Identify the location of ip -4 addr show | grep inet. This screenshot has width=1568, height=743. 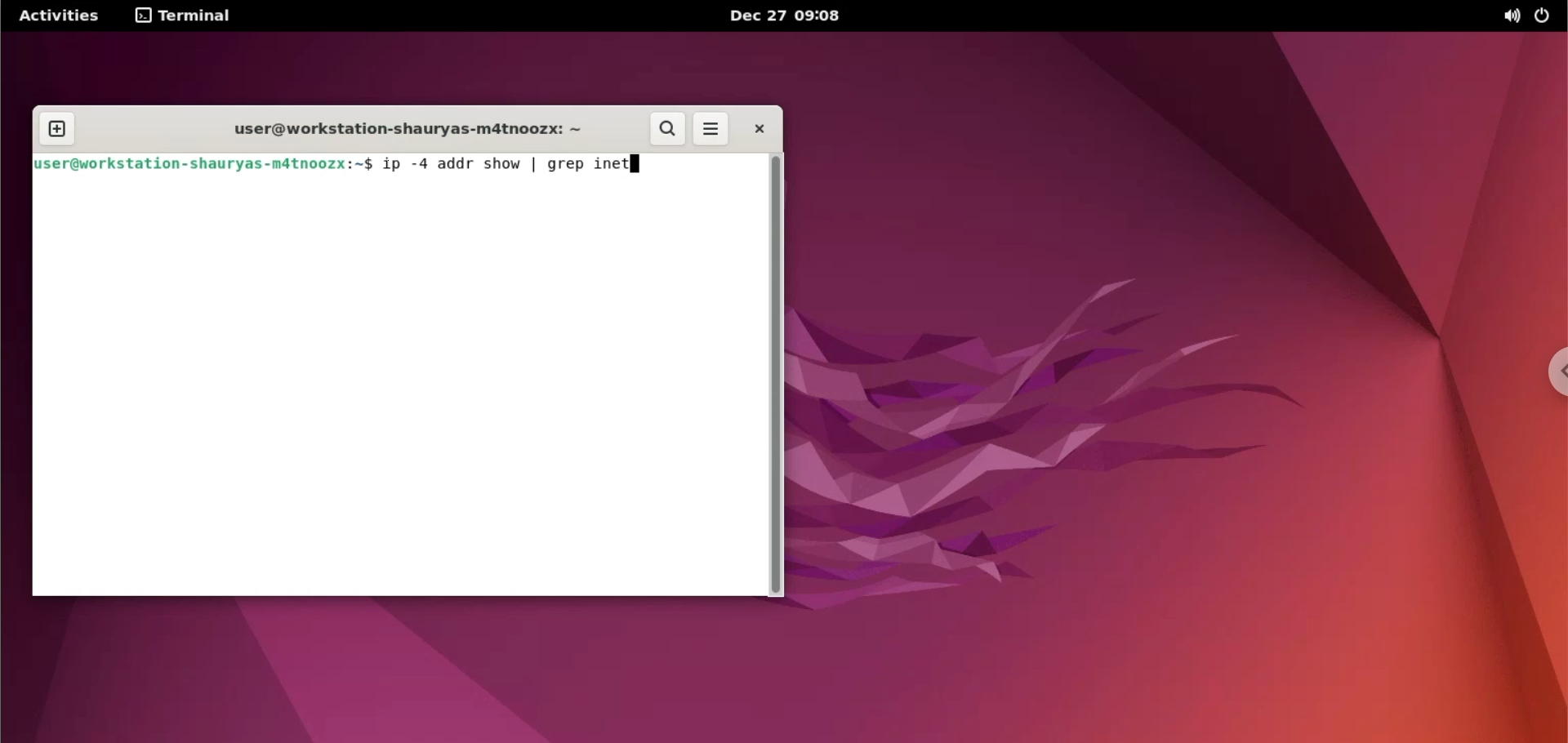
(526, 163).